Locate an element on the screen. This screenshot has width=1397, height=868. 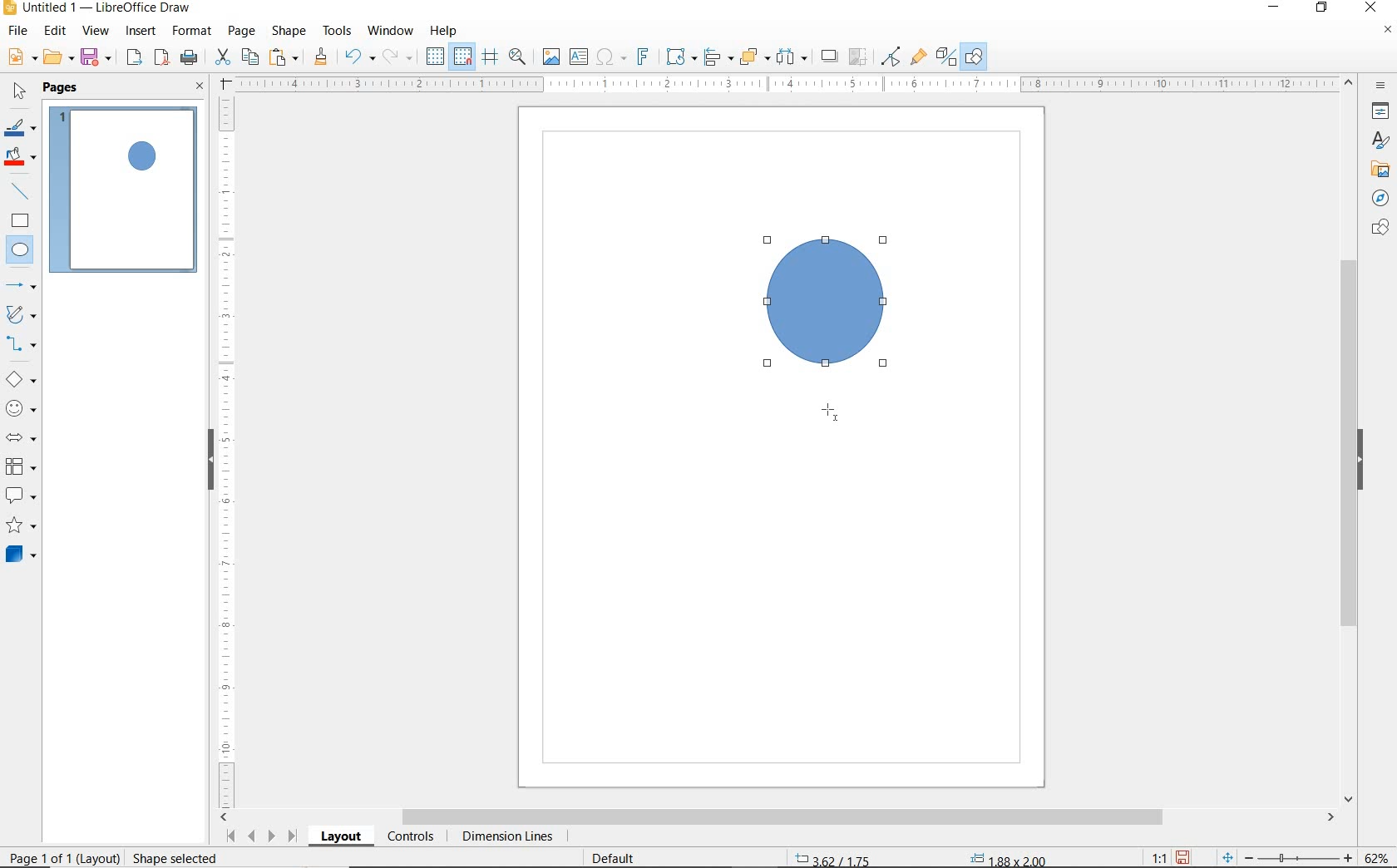
SCROLLBAR is located at coordinates (778, 818).